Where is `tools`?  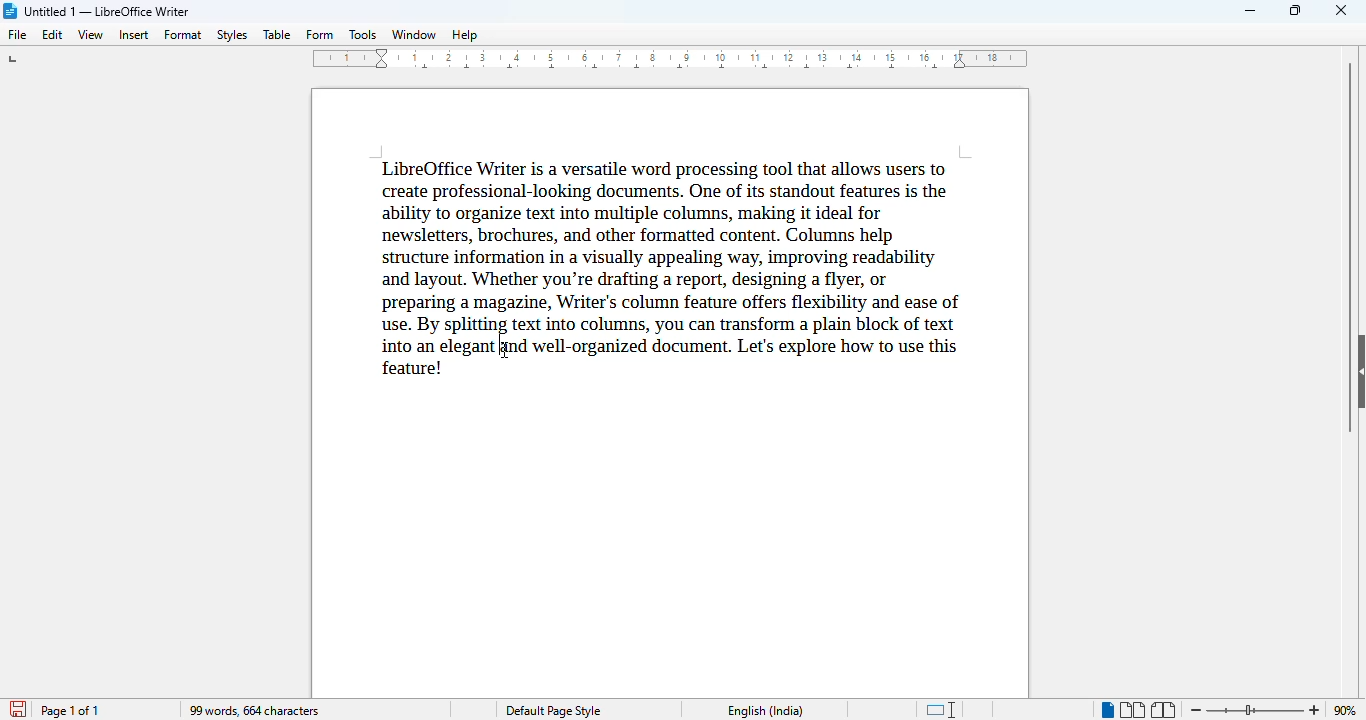
tools is located at coordinates (362, 34).